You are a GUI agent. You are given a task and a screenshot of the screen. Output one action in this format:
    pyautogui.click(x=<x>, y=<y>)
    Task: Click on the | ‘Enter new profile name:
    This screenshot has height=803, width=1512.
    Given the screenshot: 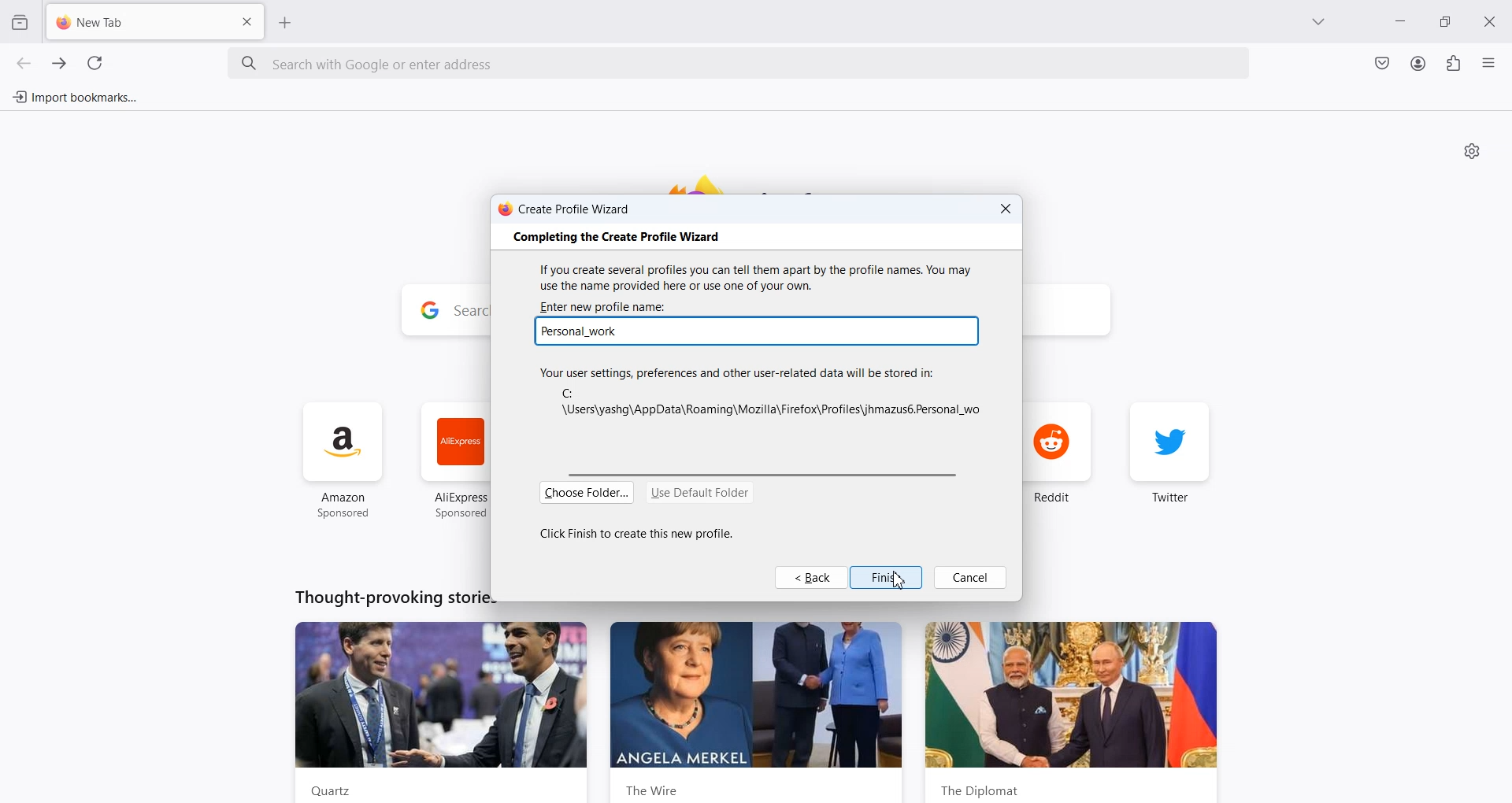 What is the action you would take?
    pyautogui.click(x=599, y=305)
    